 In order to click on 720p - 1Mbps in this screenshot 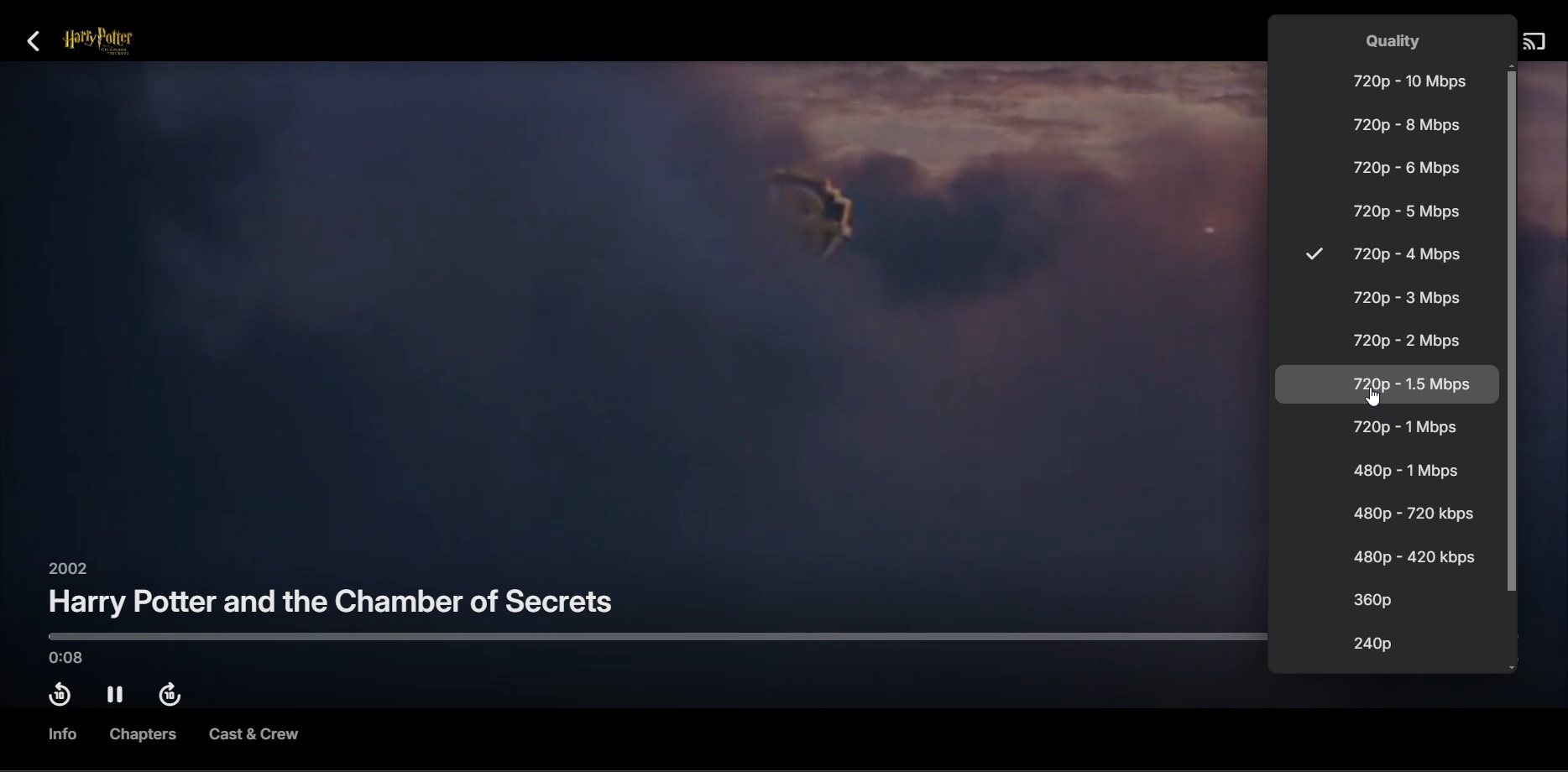, I will do `click(1403, 427)`.